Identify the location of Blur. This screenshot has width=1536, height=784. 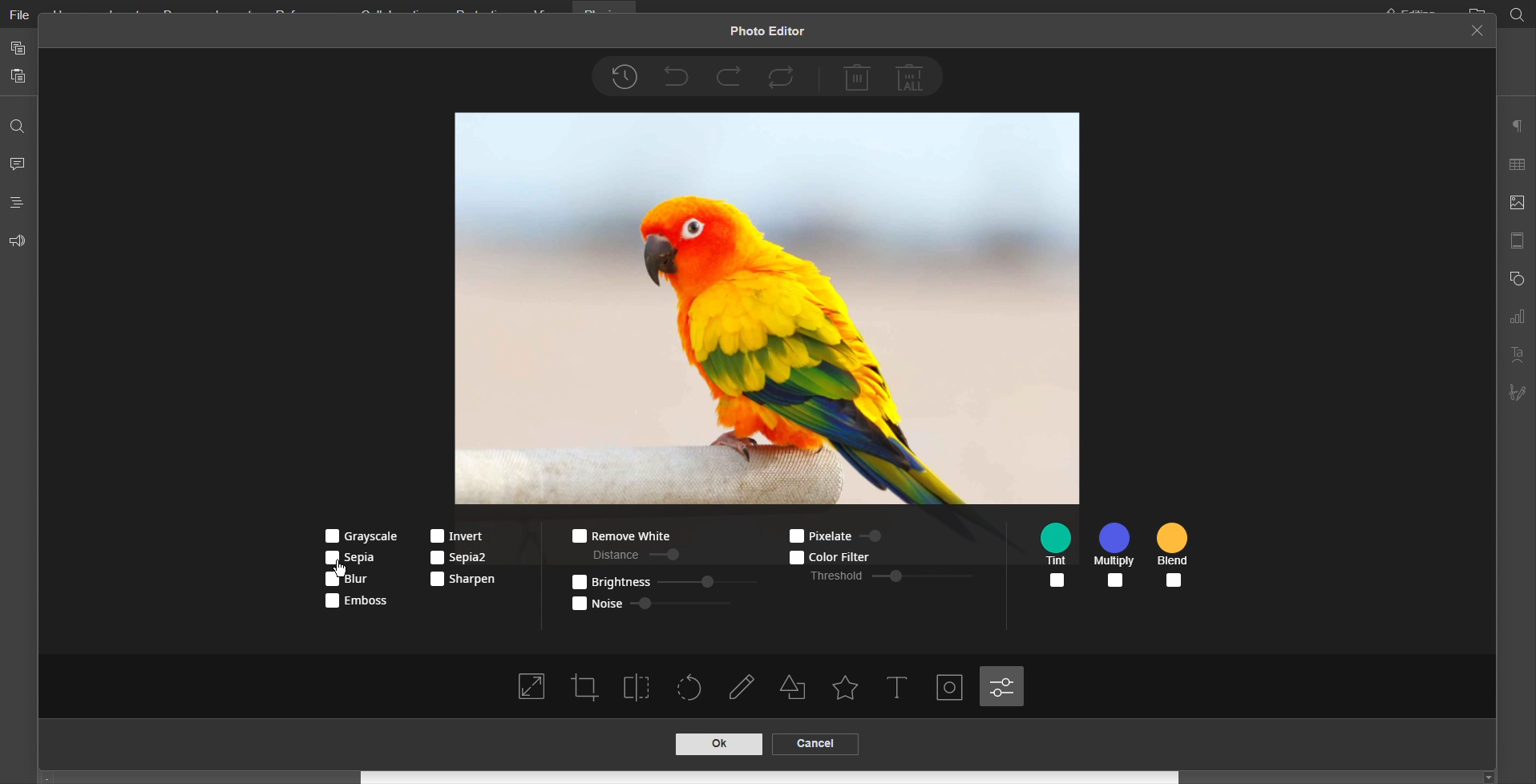
(353, 581).